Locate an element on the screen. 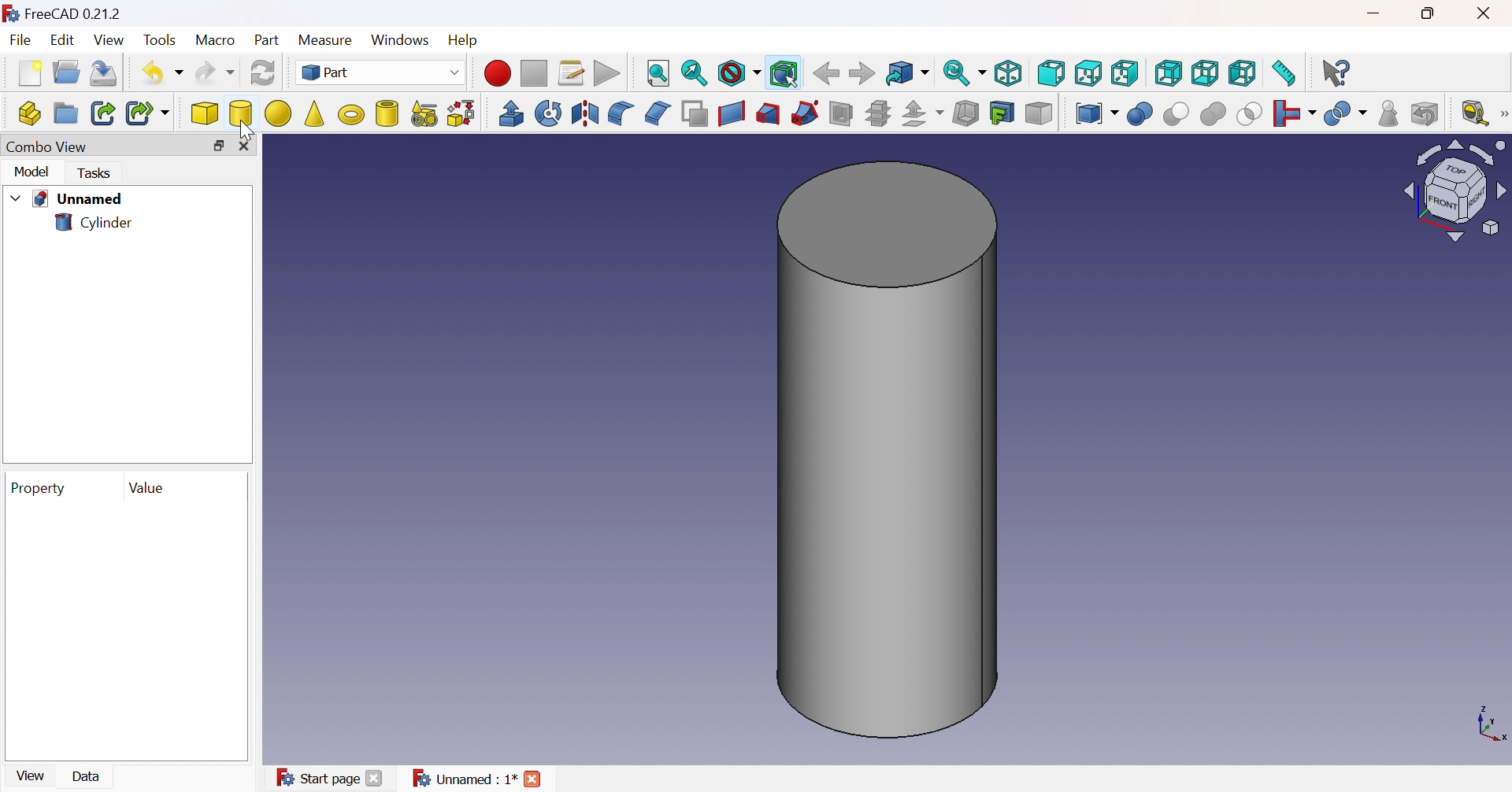 This screenshot has height=792, width=1512. Intersection is located at coordinates (1250, 115).